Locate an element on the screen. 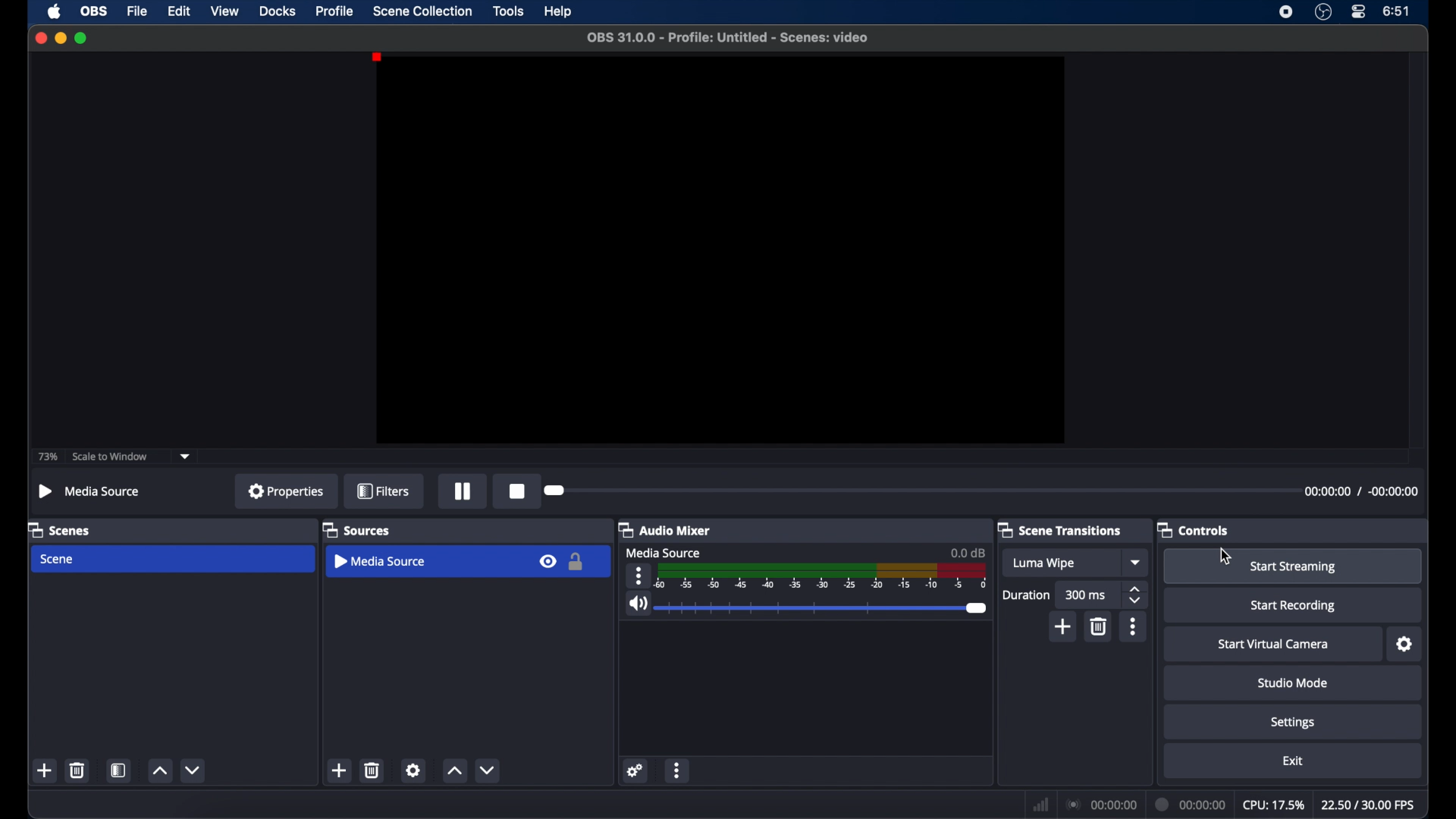 The height and width of the screenshot is (819, 1456). delete is located at coordinates (1100, 627).